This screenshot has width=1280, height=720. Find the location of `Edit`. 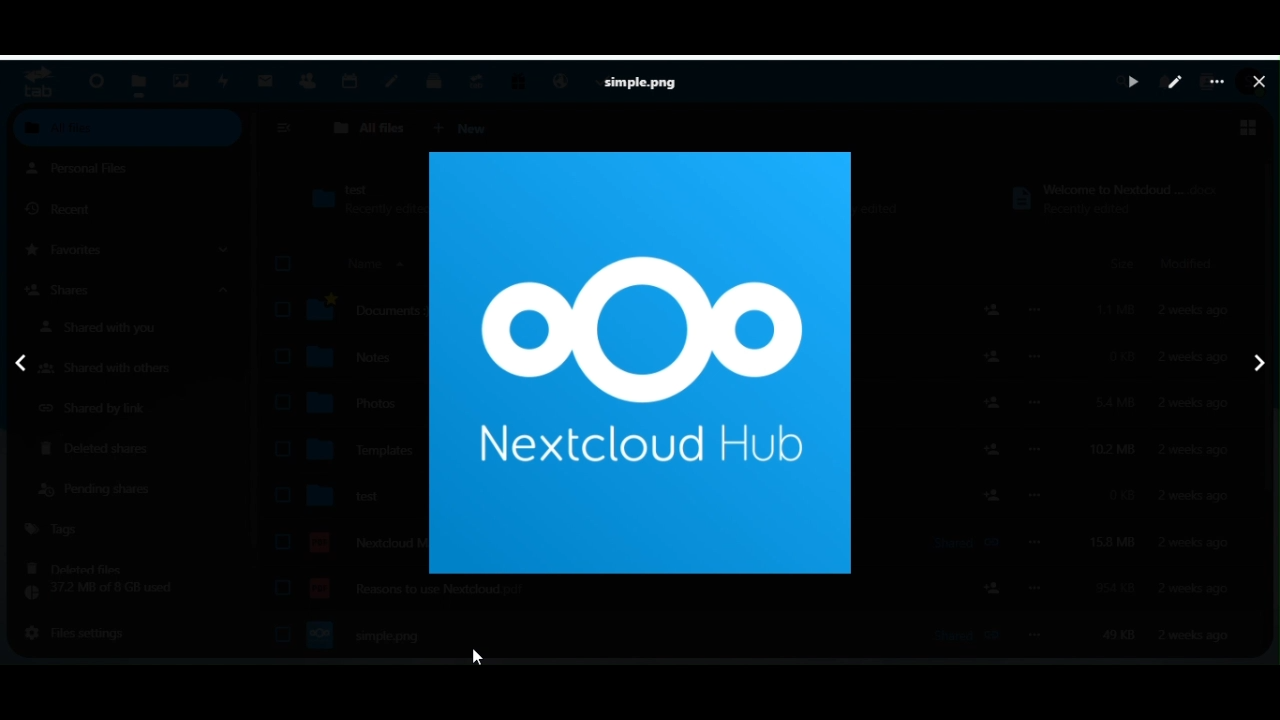

Edit is located at coordinates (1175, 83).